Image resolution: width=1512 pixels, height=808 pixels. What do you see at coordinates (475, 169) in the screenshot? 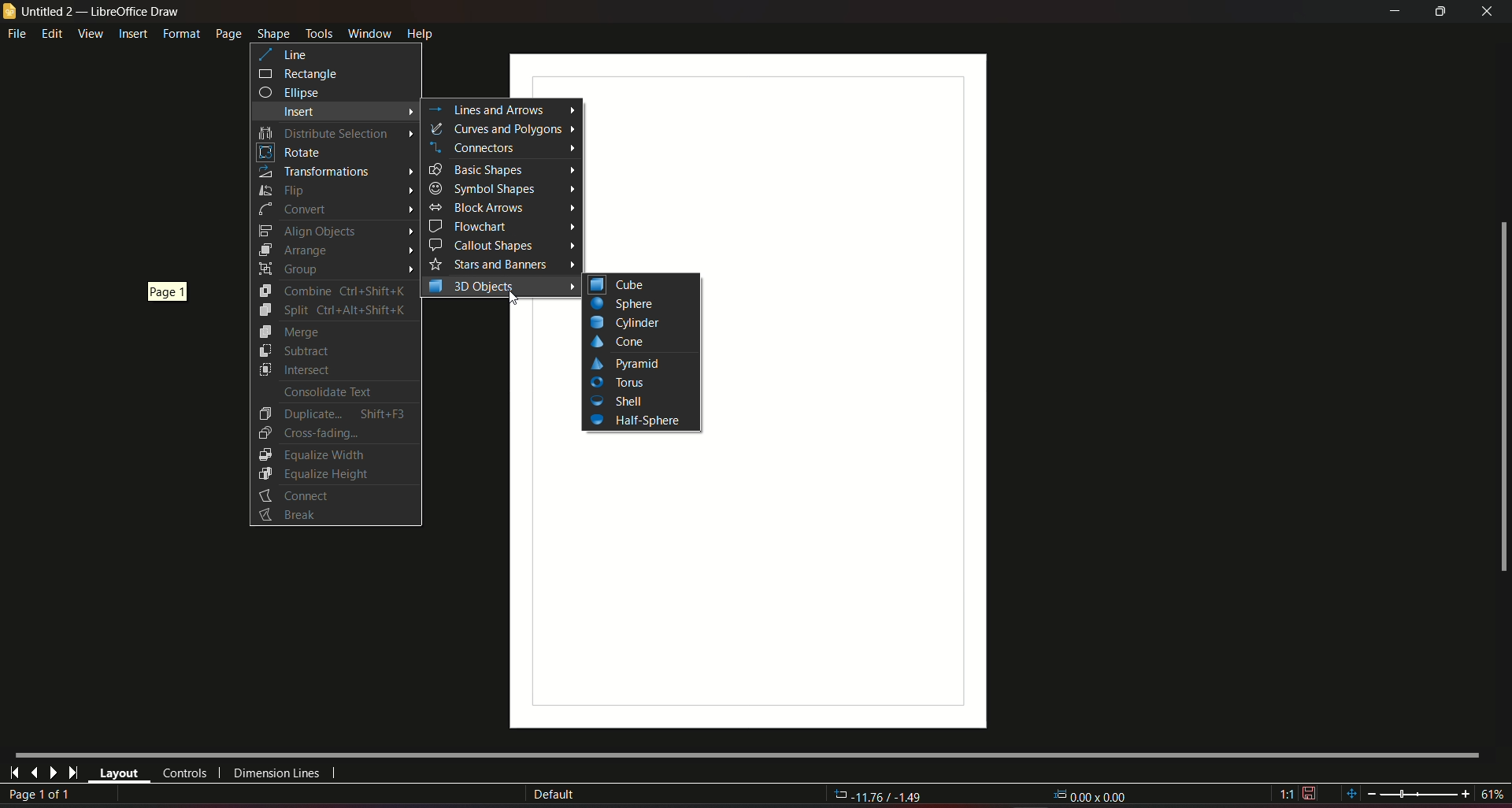
I see `Basic Shapes` at bounding box center [475, 169].